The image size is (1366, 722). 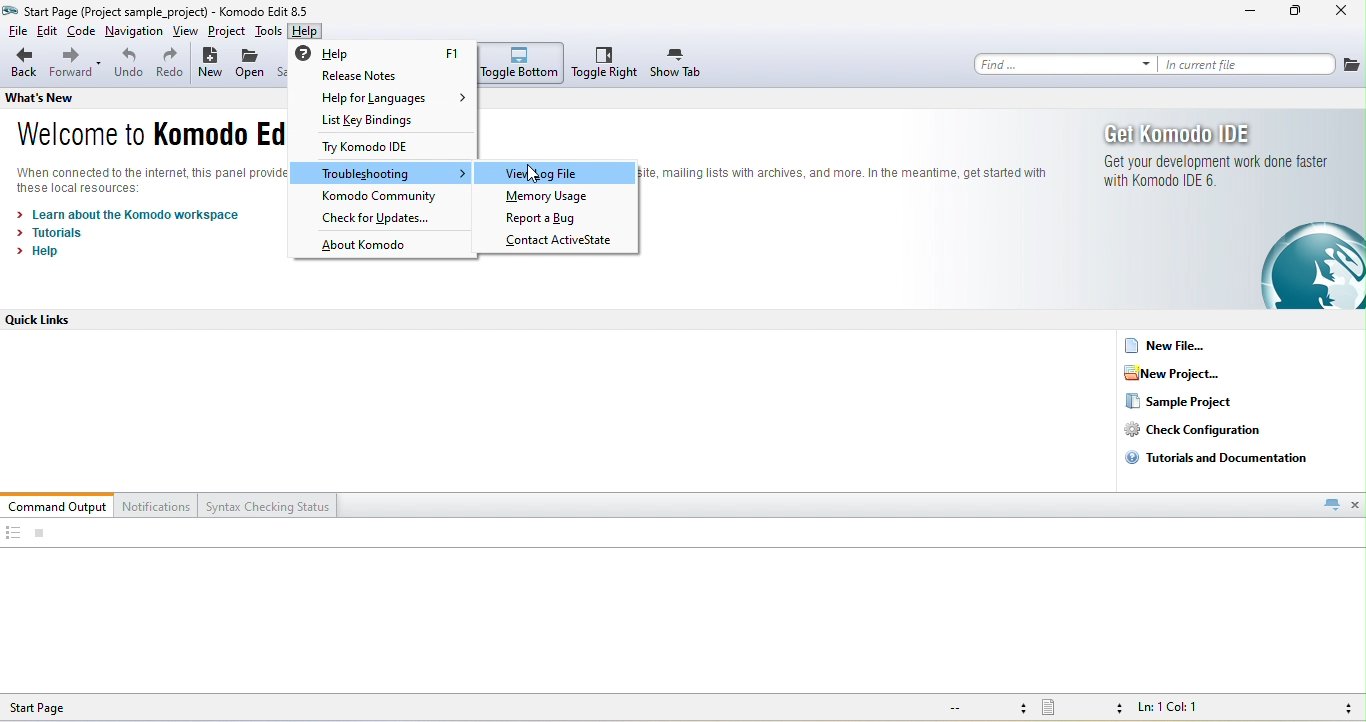 What do you see at coordinates (53, 233) in the screenshot?
I see `tutorials` at bounding box center [53, 233].